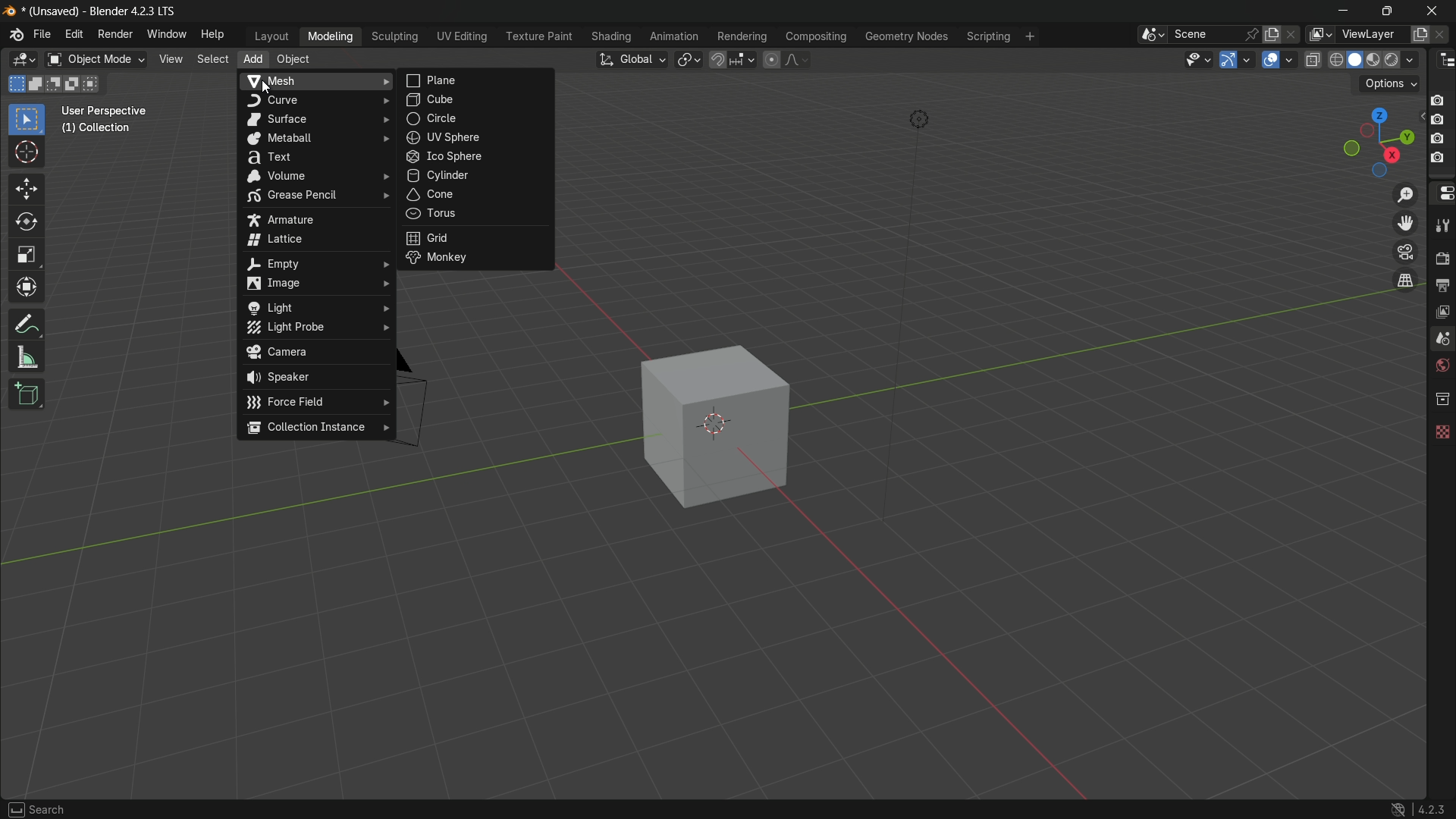 This screenshot has width=1456, height=819. Describe the element at coordinates (1443, 312) in the screenshot. I see `view layer` at that location.